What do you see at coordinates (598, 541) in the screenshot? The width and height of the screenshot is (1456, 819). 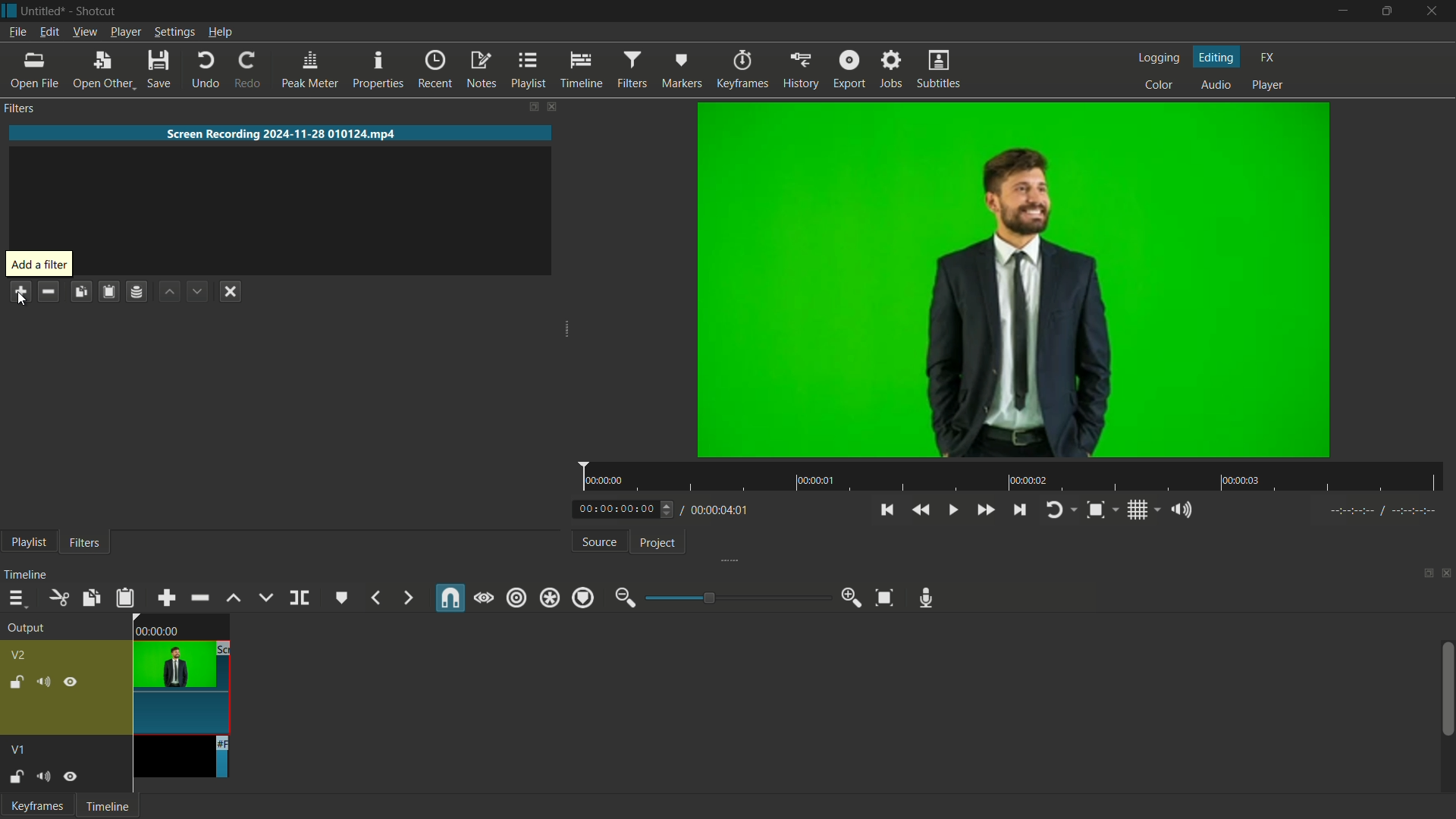 I see `source tab` at bounding box center [598, 541].